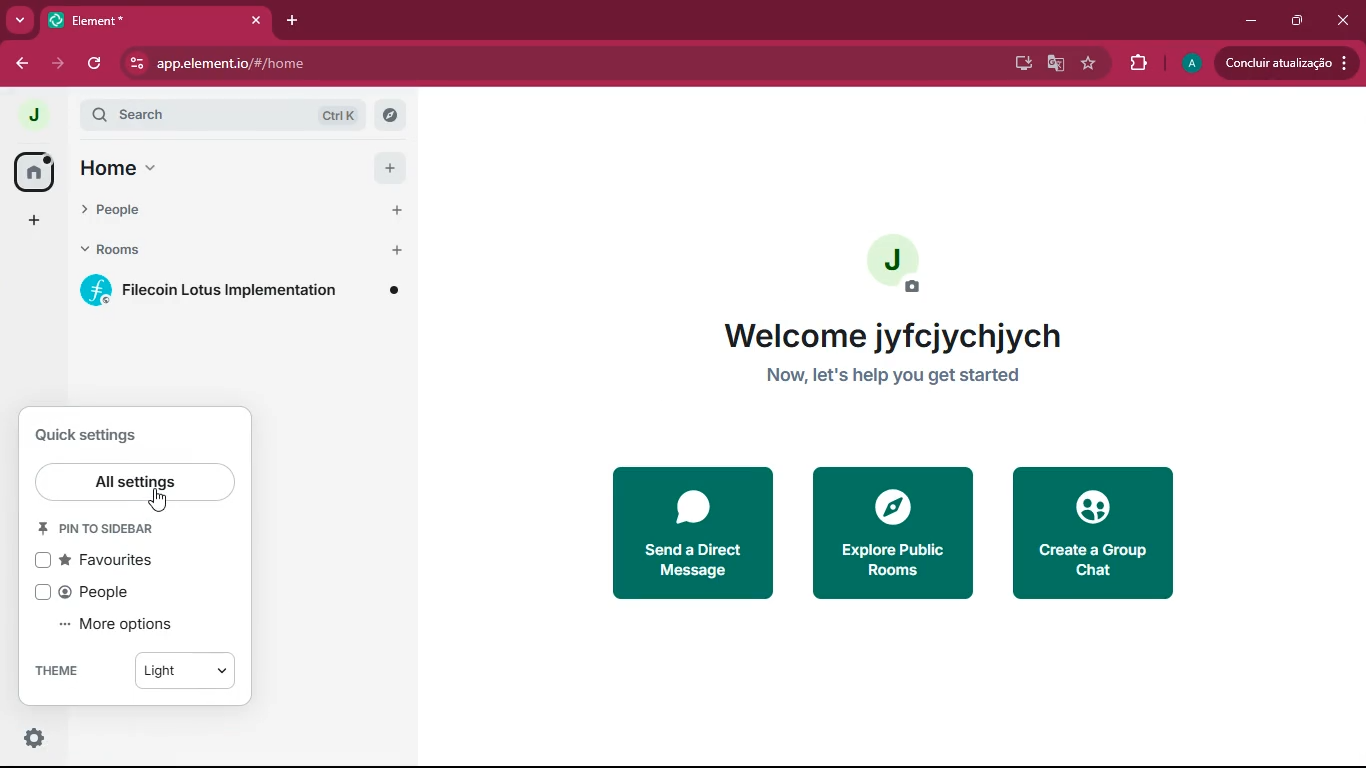  What do you see at coordinates (29, 171) in the screenshot?
I see `home` at bounding box center [29, 171].